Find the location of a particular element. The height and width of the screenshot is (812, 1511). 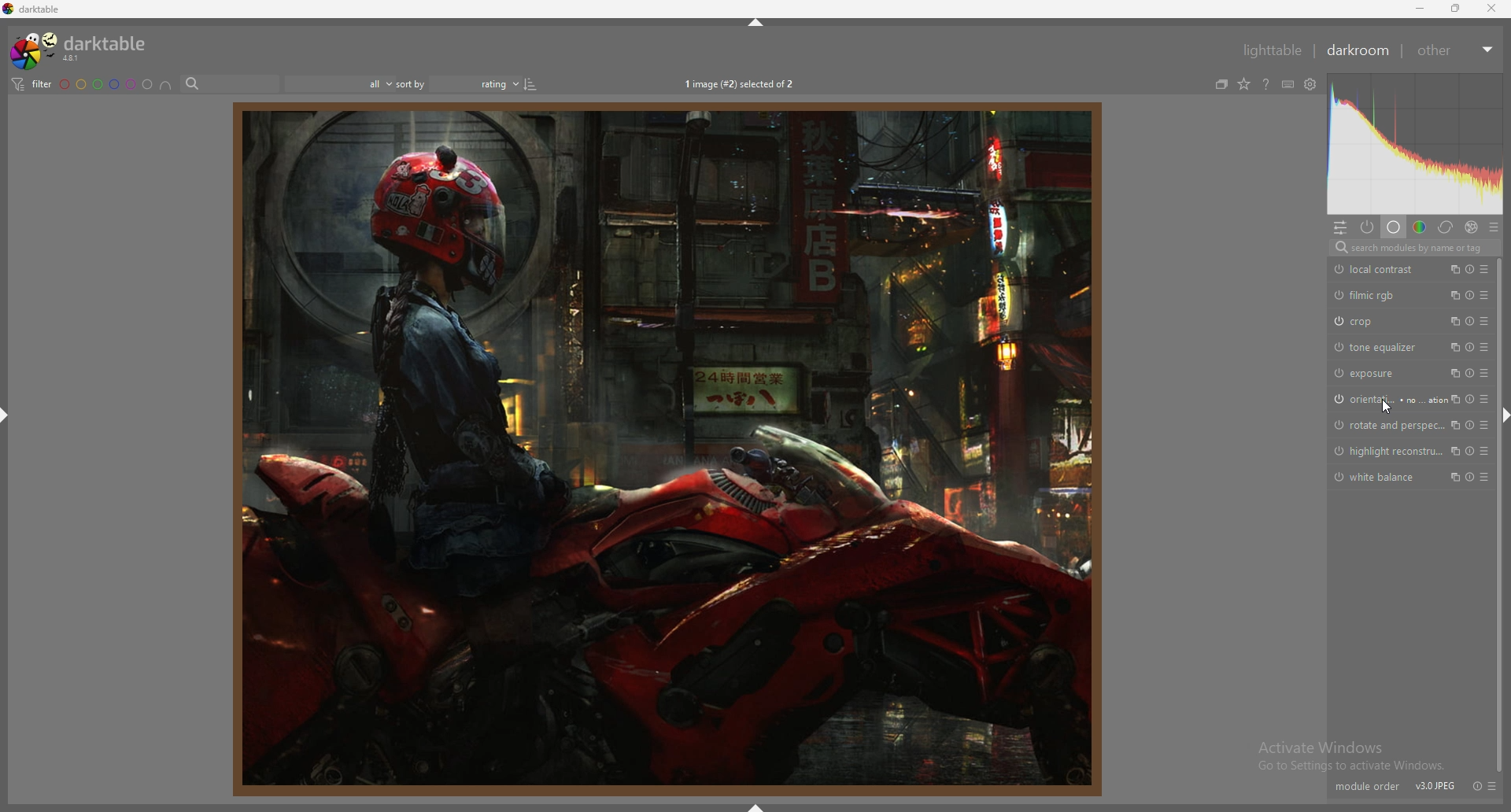

darkroom is located at coordinates (1361, 50).